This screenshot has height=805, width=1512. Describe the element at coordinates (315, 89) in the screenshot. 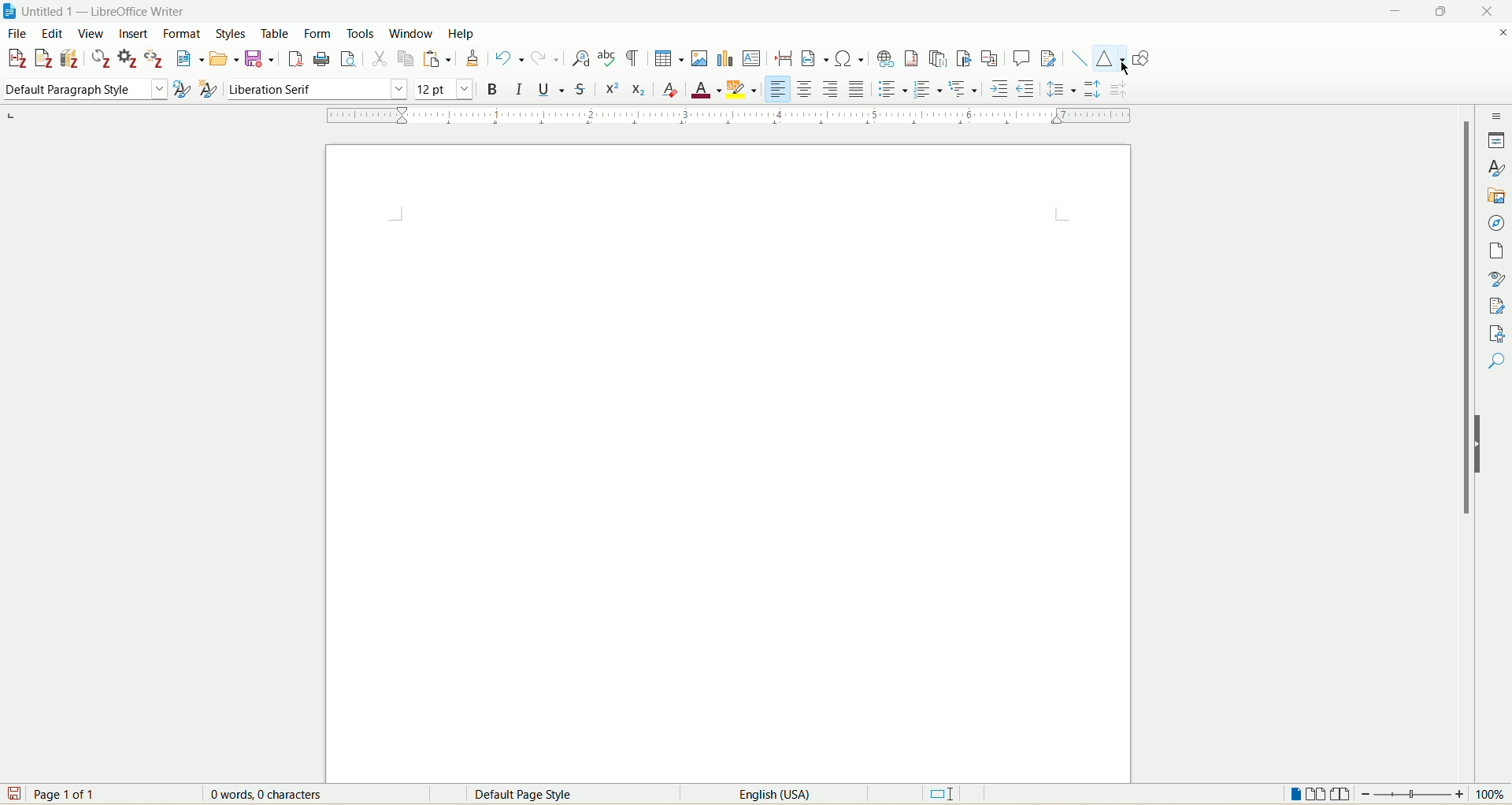

I see `font name` at that location.